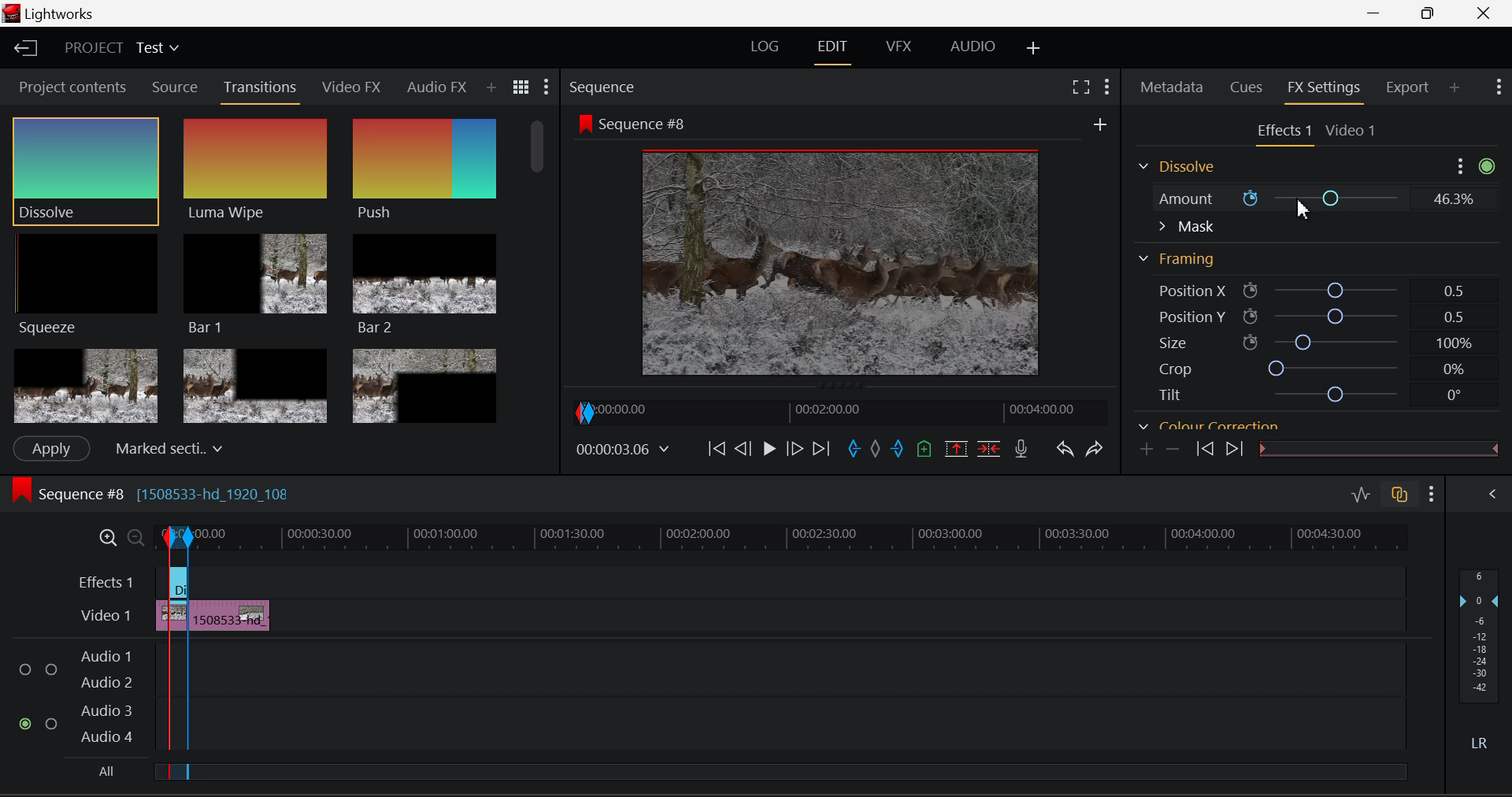 This screenshot has height=797, width=1512. Describe the element at coordinates (798, 662) in the screenshot. I see `Audio Input Field` at that location.